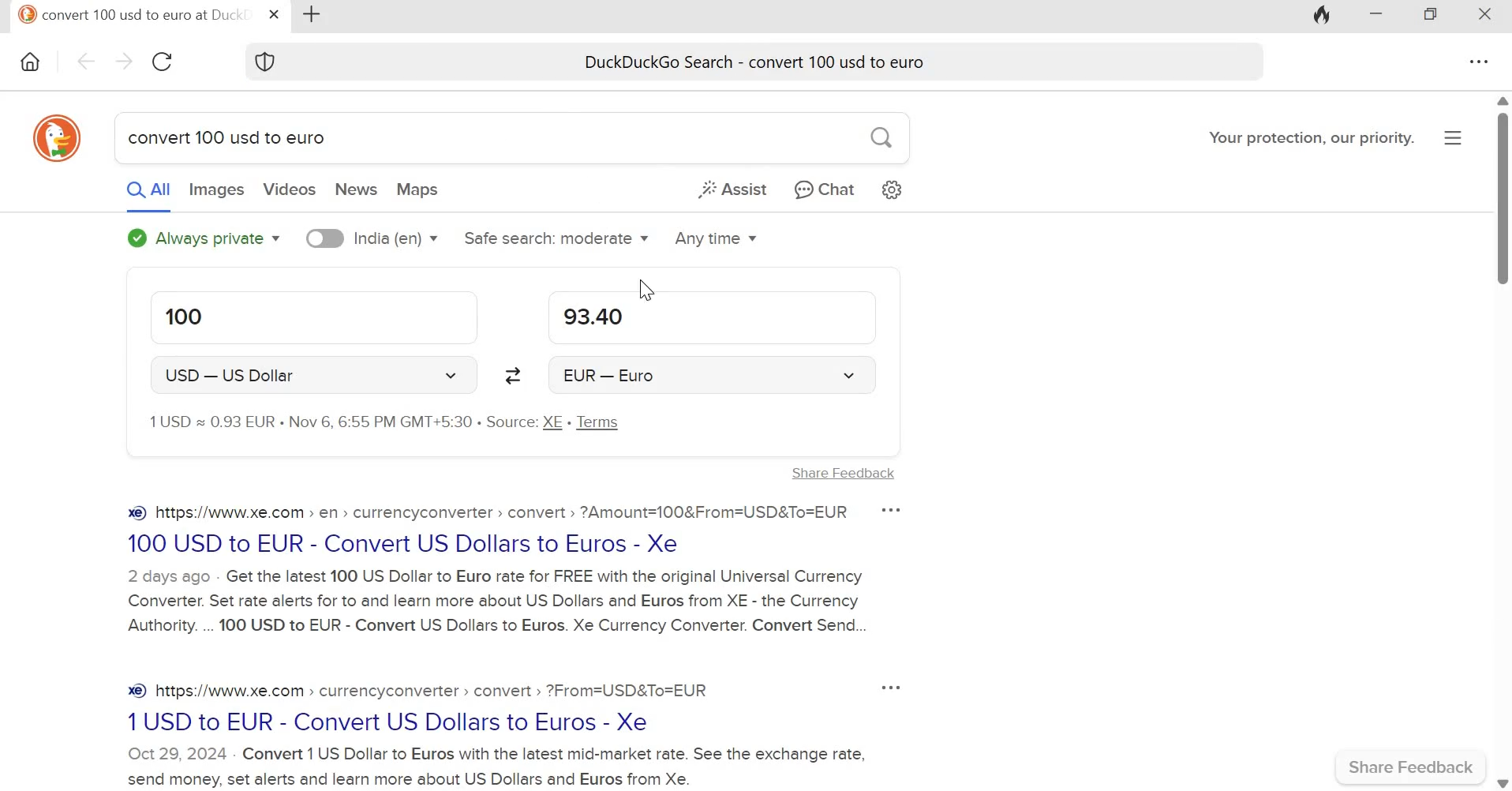 This screenshot has height=791, width=1512. Describe the element at coordinates (1490, 17) in the screenshot. I see `close` at that location.